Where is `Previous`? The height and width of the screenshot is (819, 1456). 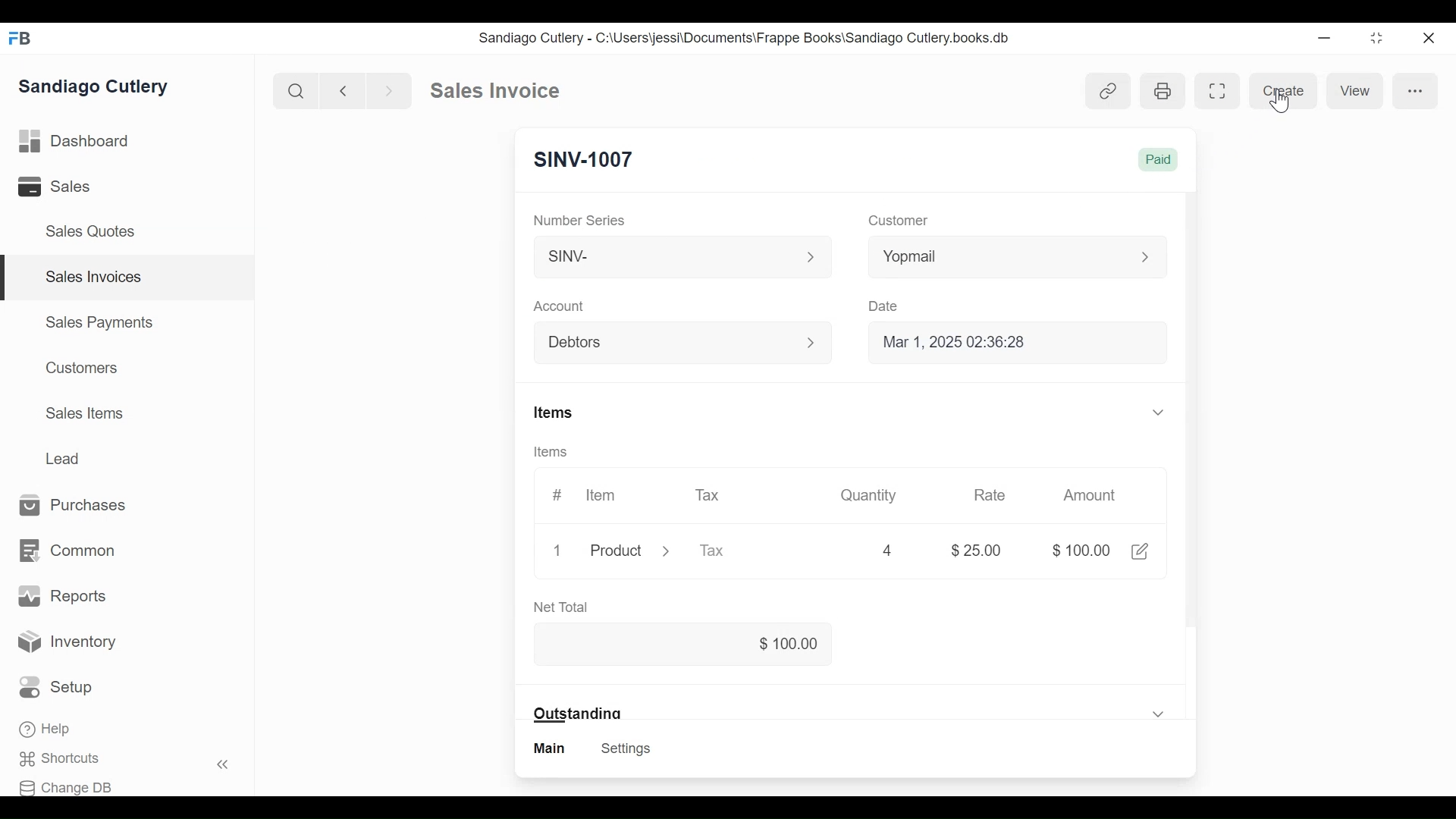 Previous is located at coordinates (344, 90).